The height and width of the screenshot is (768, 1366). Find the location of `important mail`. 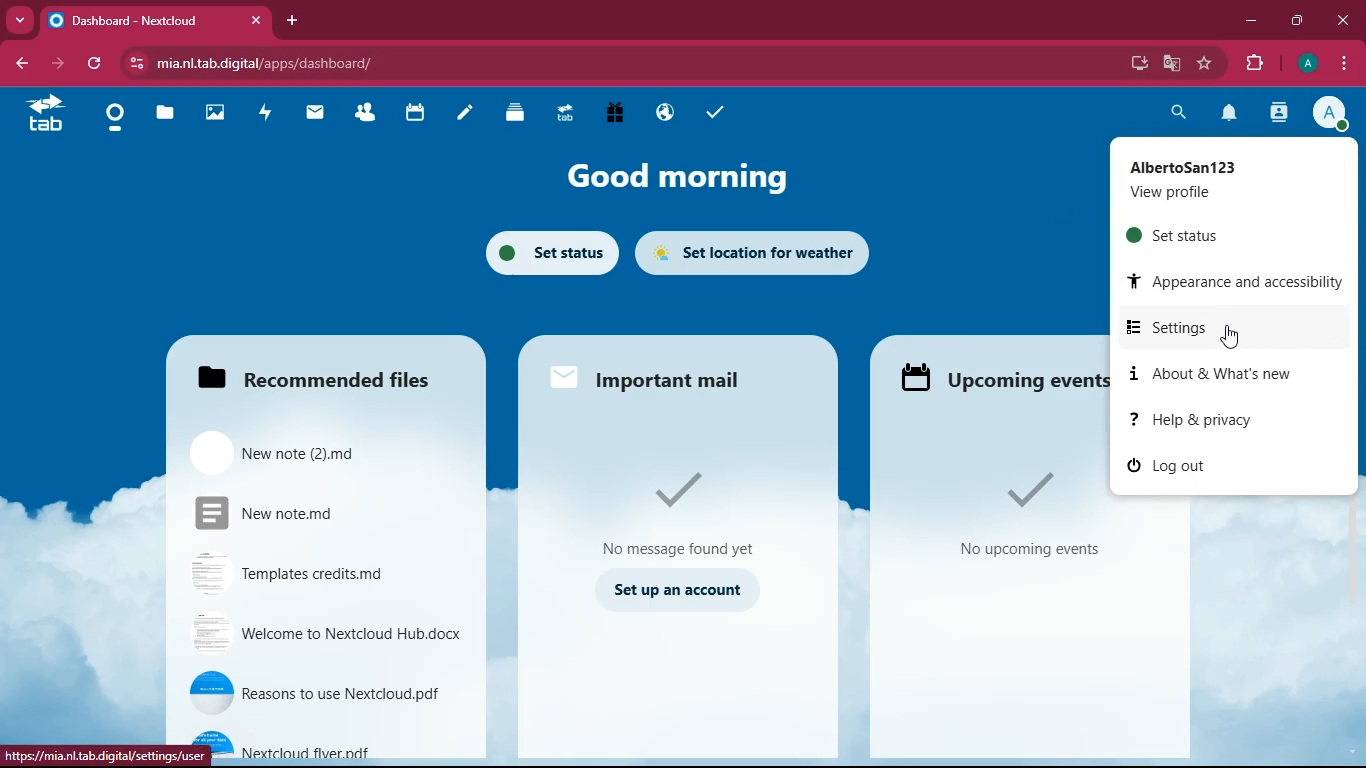

important mail is located at coordinates (655, 374).